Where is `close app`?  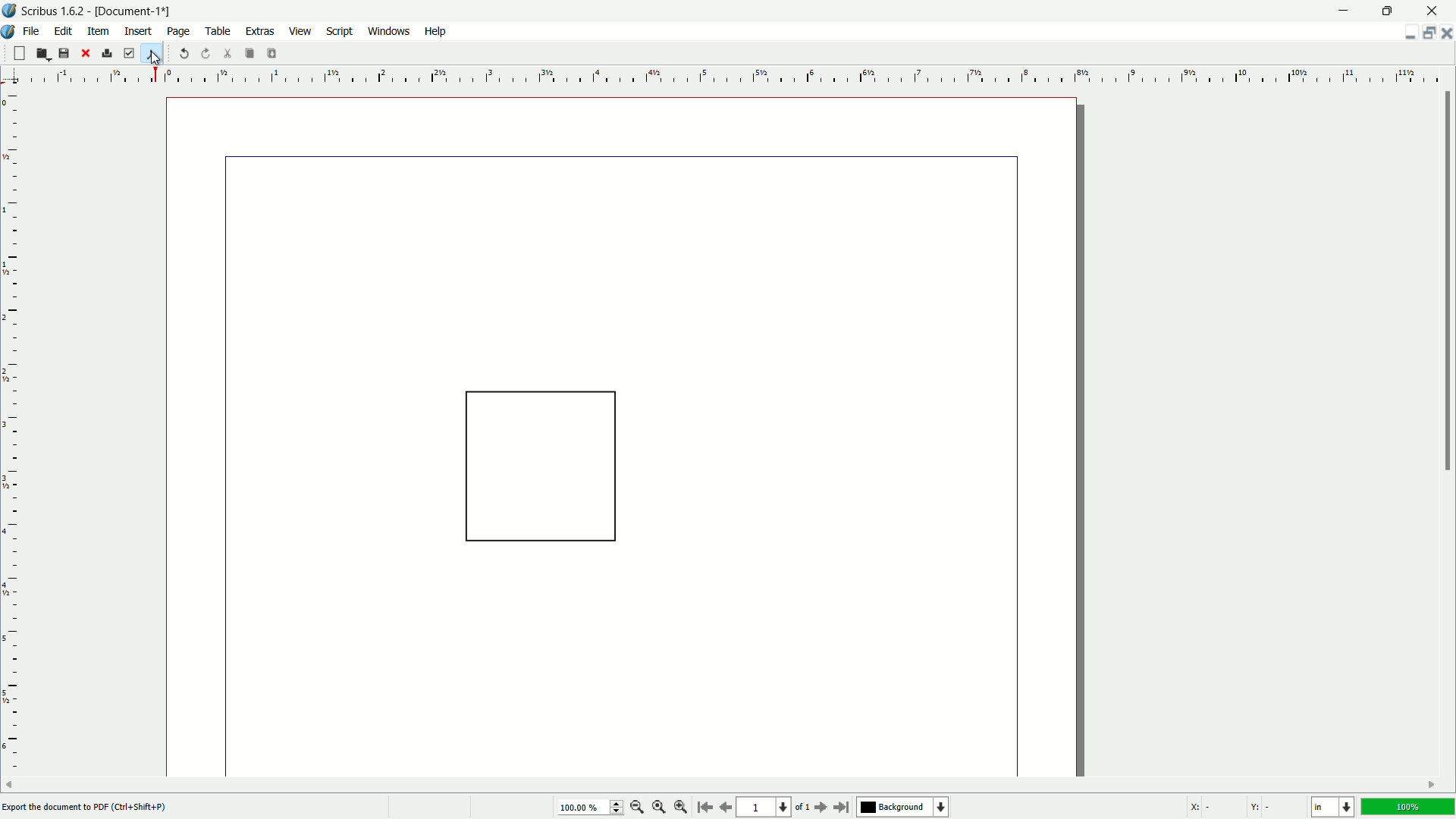
close app is located at coordinates (1432, 11).